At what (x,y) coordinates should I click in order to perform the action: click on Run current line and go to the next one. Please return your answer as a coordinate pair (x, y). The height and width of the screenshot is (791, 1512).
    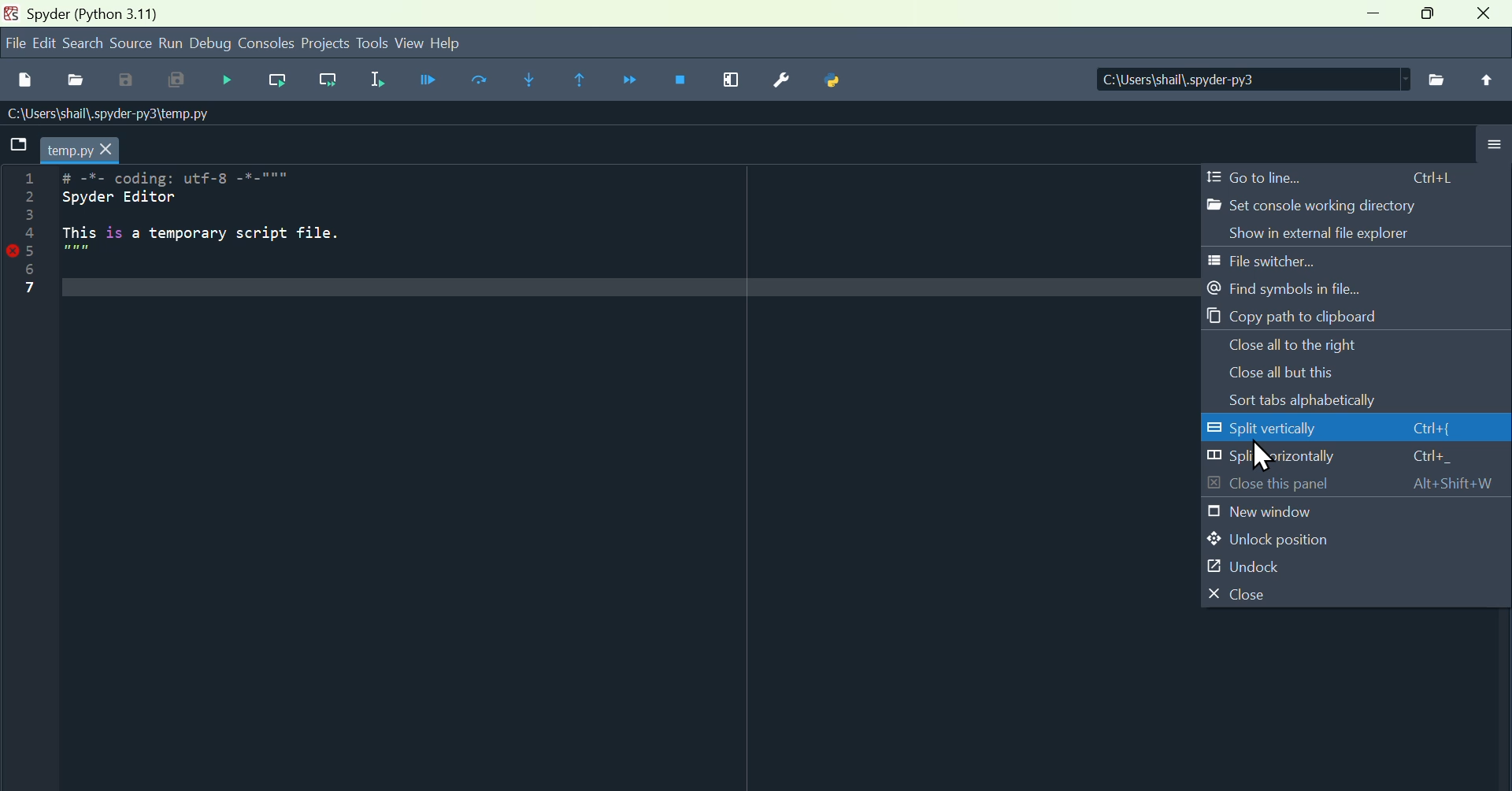
    Looking at the image, I should click on (327, 83).